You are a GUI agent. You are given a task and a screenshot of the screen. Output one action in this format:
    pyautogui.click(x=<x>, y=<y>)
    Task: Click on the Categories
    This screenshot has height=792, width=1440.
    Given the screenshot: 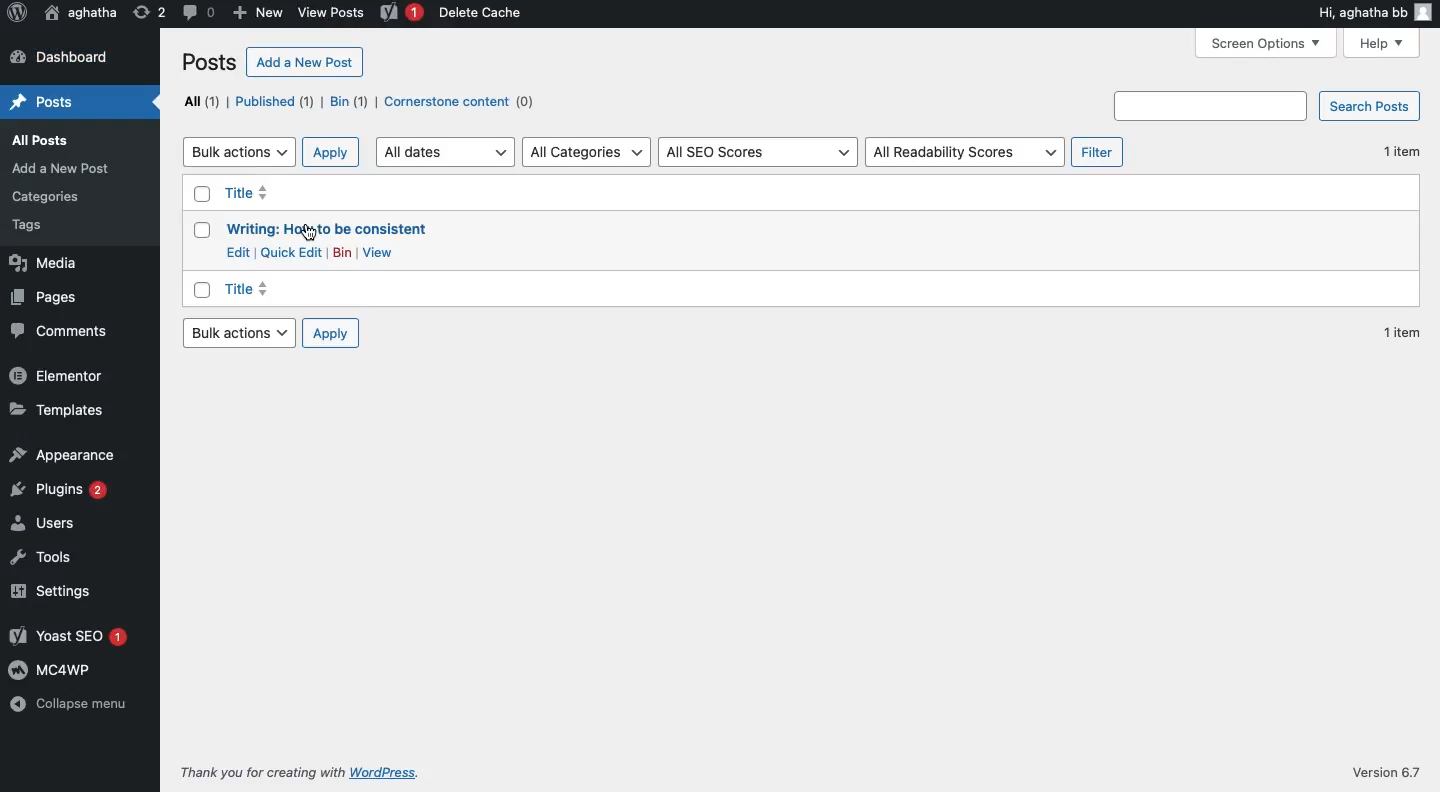 What is the action you would take?
    pyautogui.click(x=48, y=193)
    